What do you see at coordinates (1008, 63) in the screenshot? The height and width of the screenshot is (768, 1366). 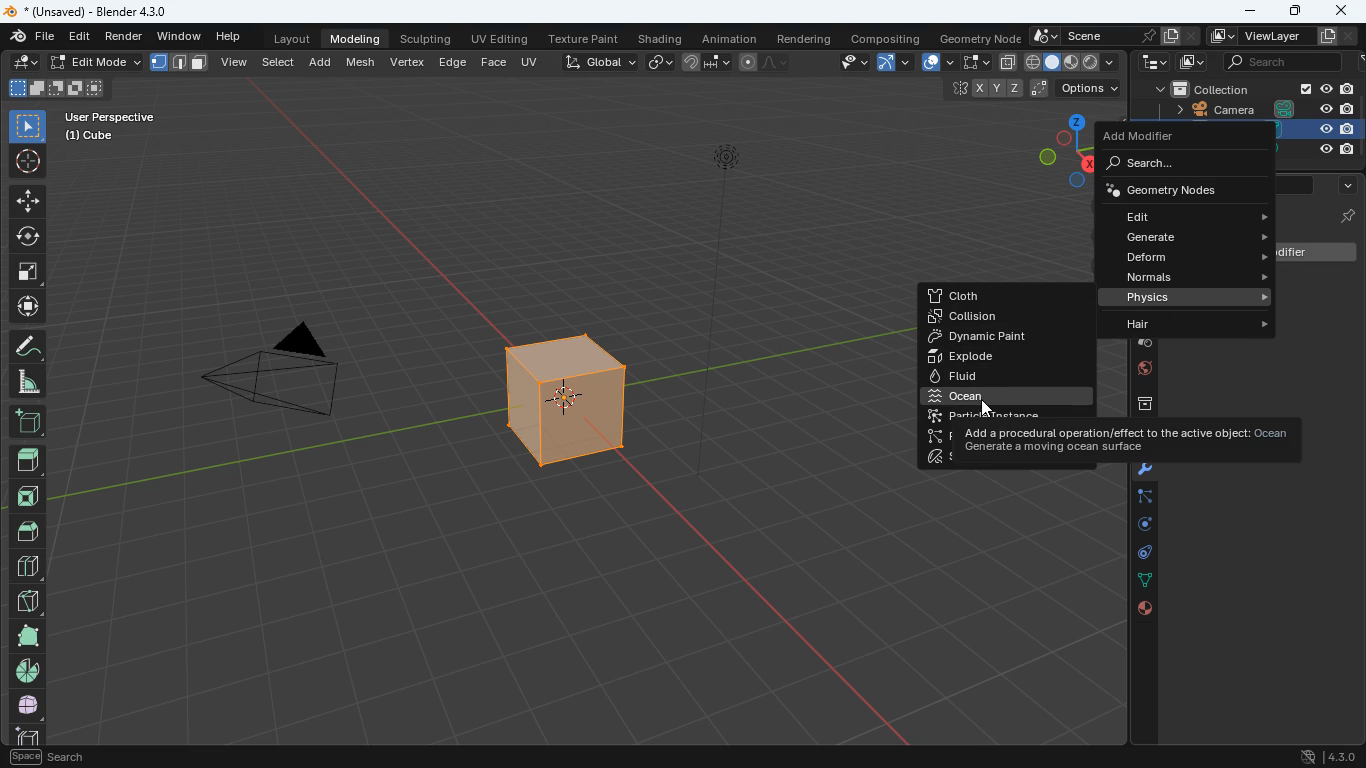 I see `copy` at bounding box center [1008, 63].